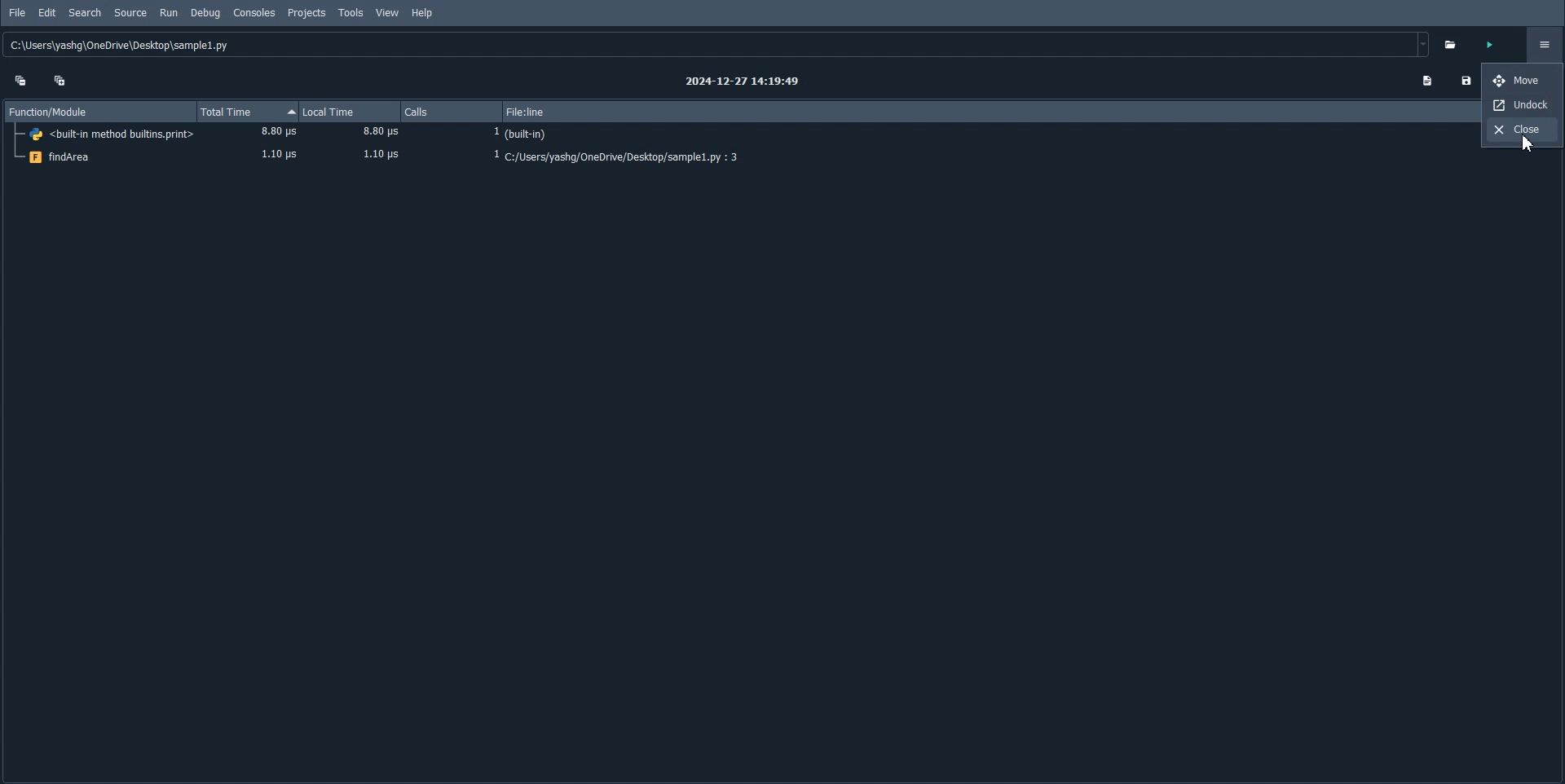  I want to click on Help, so click(422, 13).